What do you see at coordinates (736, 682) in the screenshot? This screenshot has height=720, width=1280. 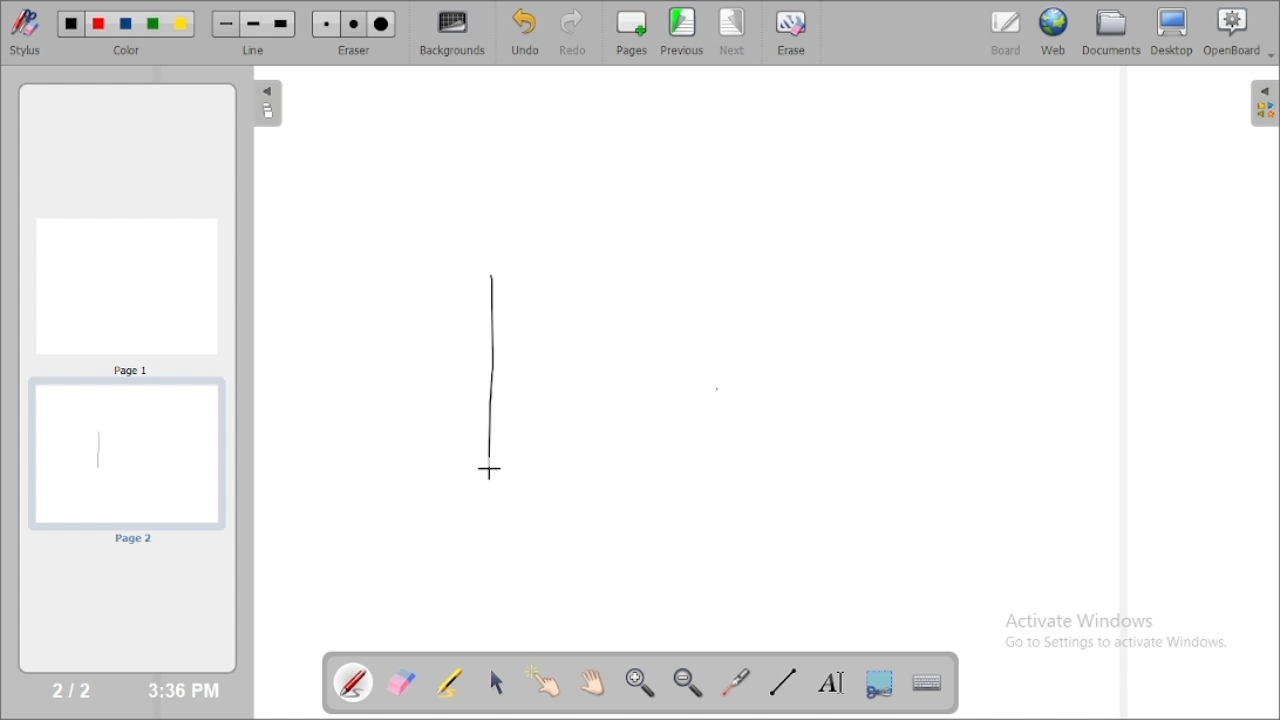 I see `virtual laser pointer` at bounding box center [736, 682].